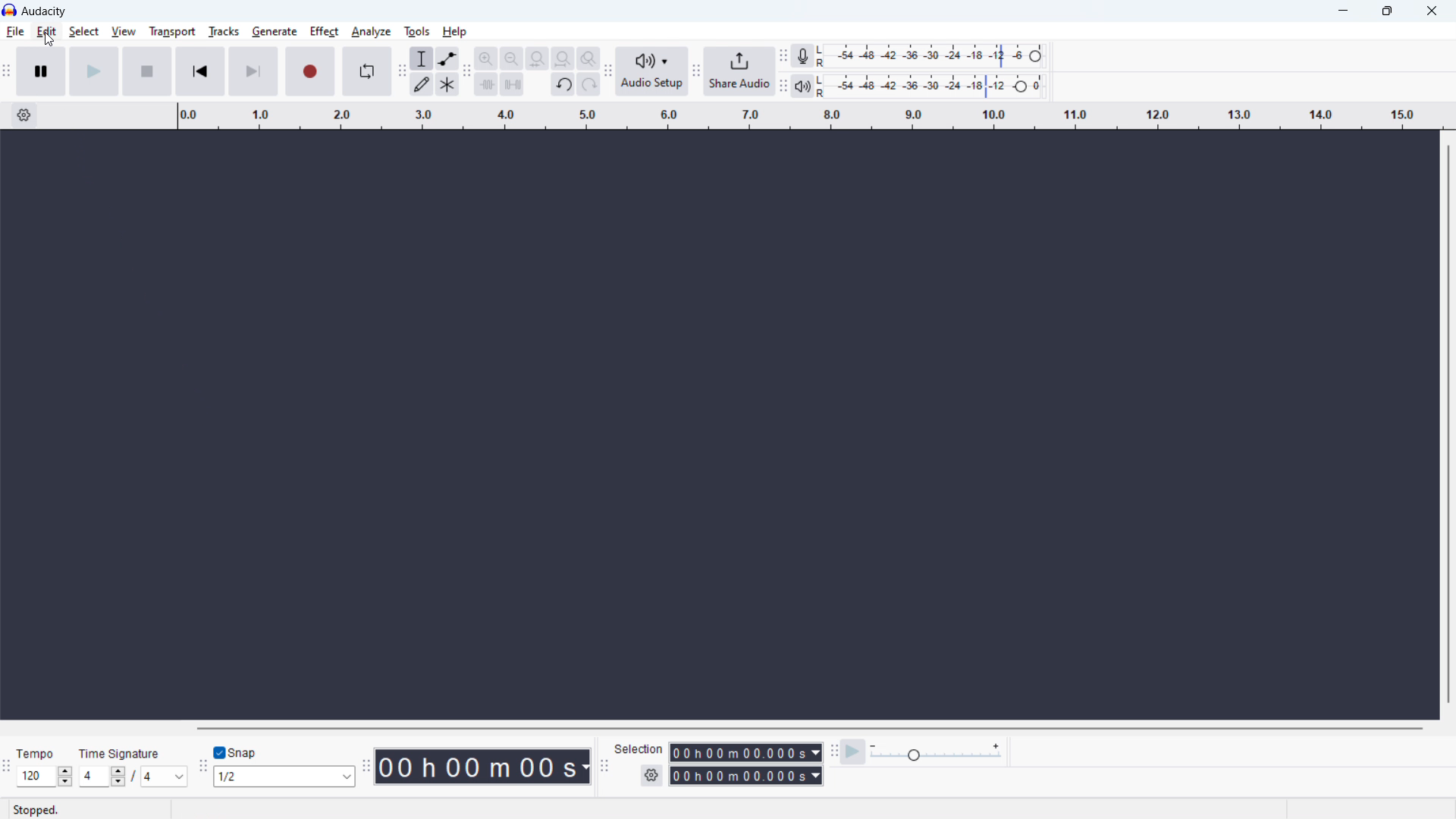  Describe the element at coordinates (5, 767) in the screenshot. I see `Enables movement of time signature toolbar` at that location.